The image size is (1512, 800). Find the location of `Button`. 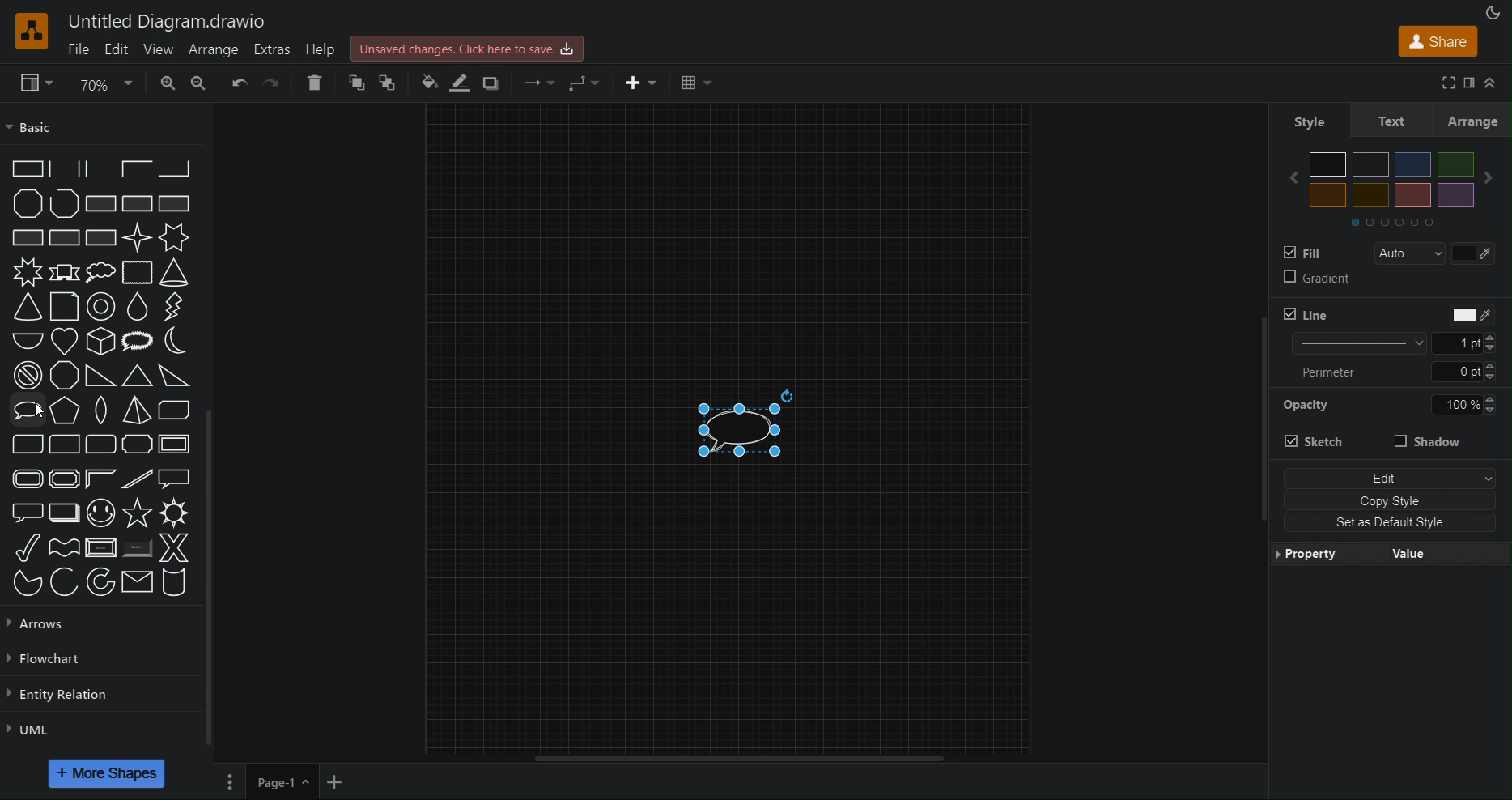

Button is located at coordinates (100, 547).